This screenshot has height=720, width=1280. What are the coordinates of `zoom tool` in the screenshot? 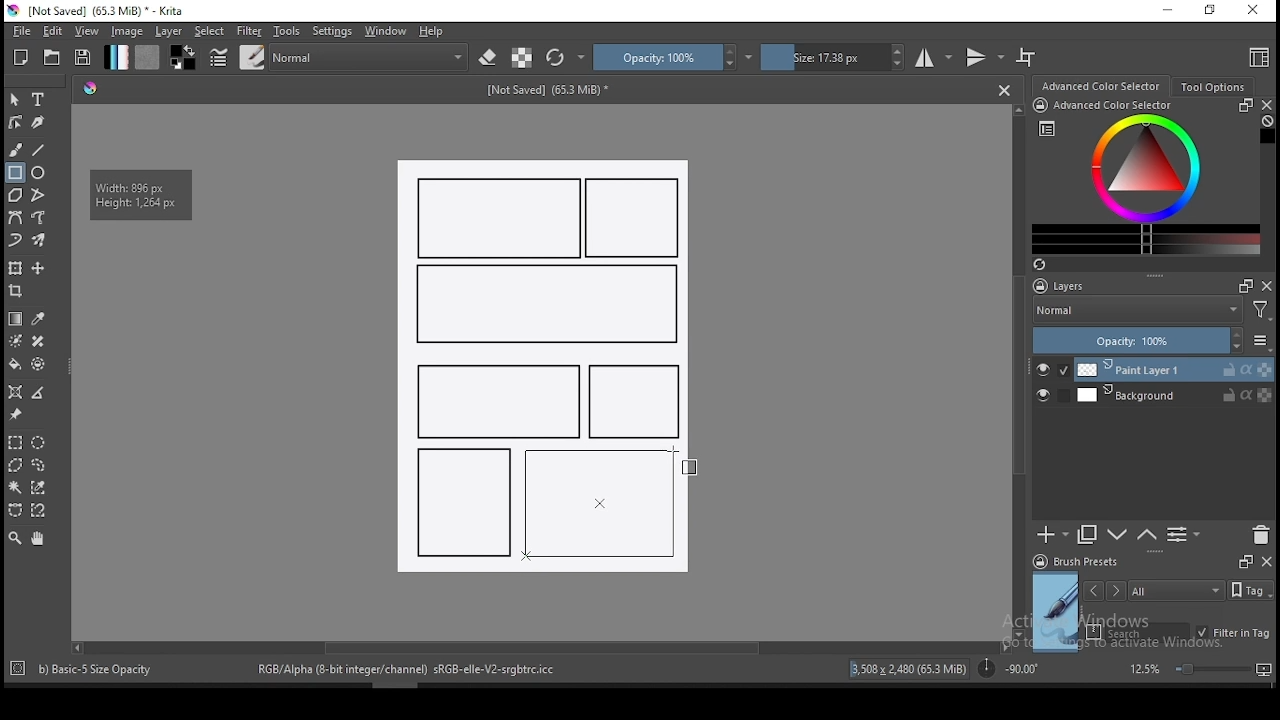 It's located at (15, 537).